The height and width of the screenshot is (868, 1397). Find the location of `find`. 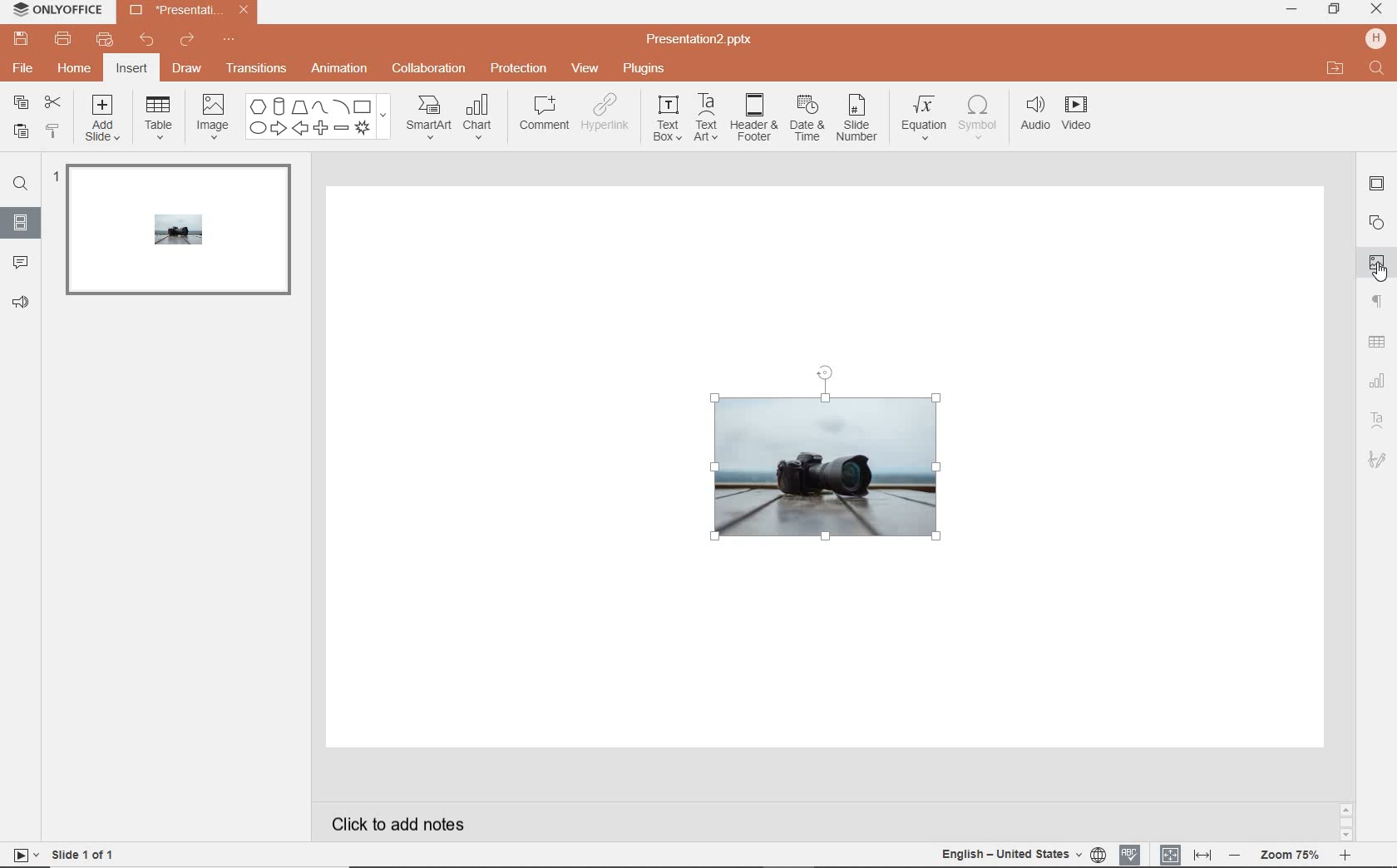

find is located at coordinates (21, 182).